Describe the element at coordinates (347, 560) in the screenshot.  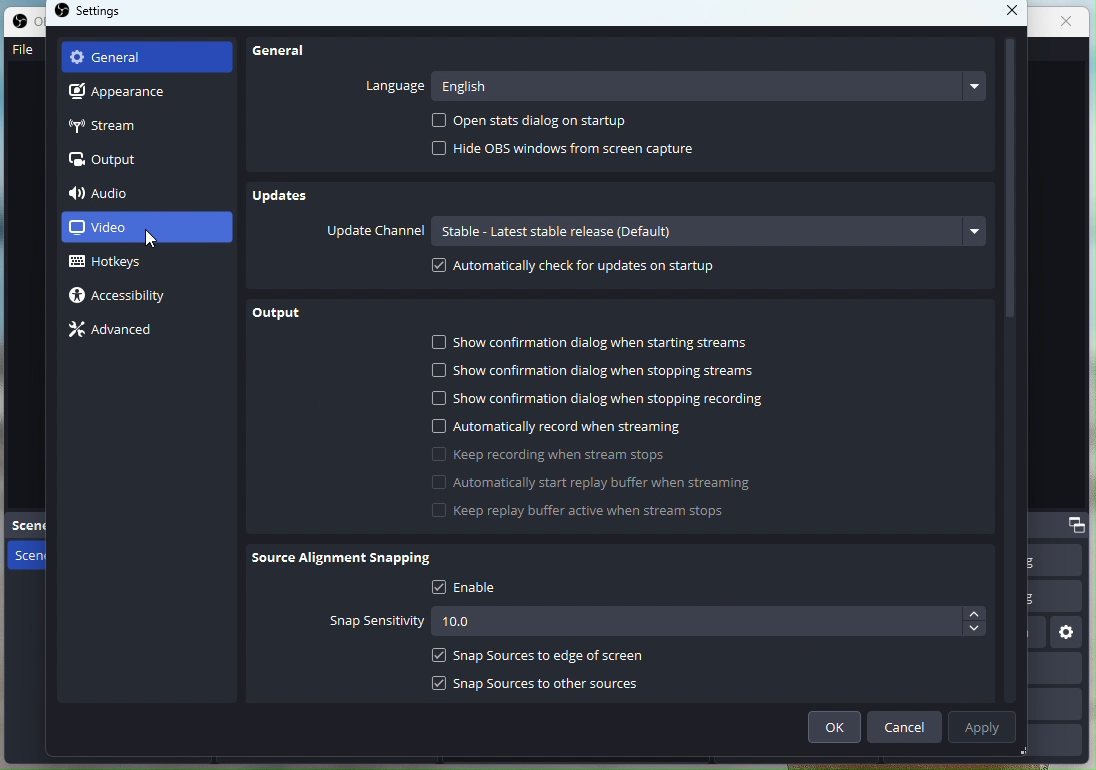
I see `Source alignment snapping` at that location.